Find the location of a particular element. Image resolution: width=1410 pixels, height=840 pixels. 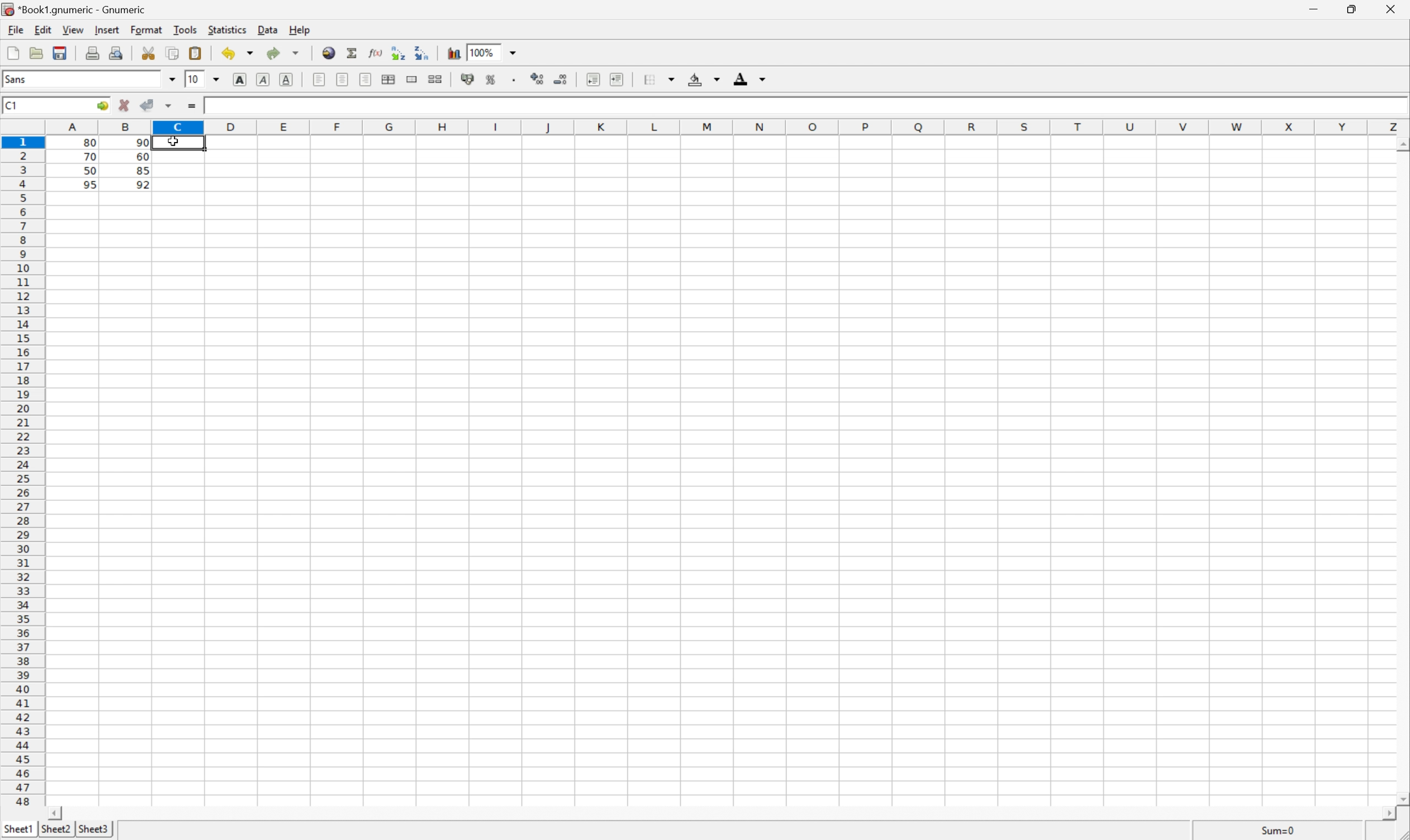

Scroll Down is located at coordinates (1401, 797).